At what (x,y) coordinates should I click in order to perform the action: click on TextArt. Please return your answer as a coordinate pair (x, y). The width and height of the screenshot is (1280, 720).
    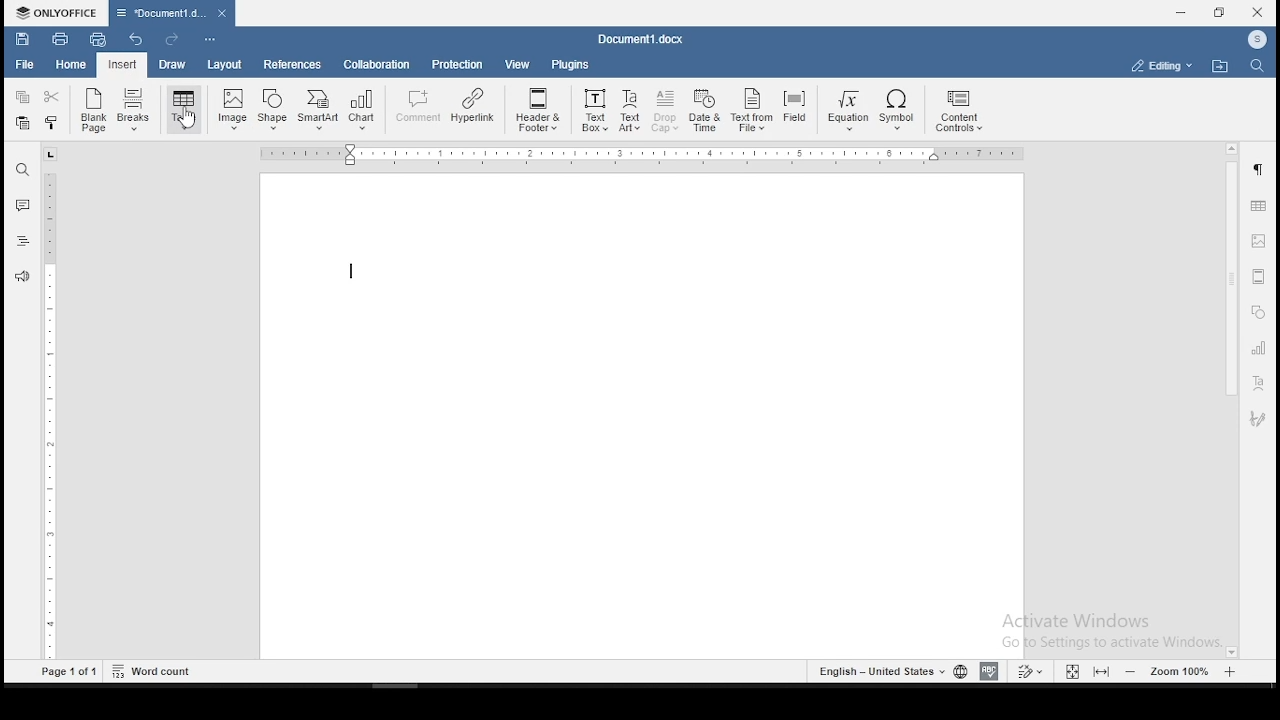
    Looking at the image, I should click on (629, 112).